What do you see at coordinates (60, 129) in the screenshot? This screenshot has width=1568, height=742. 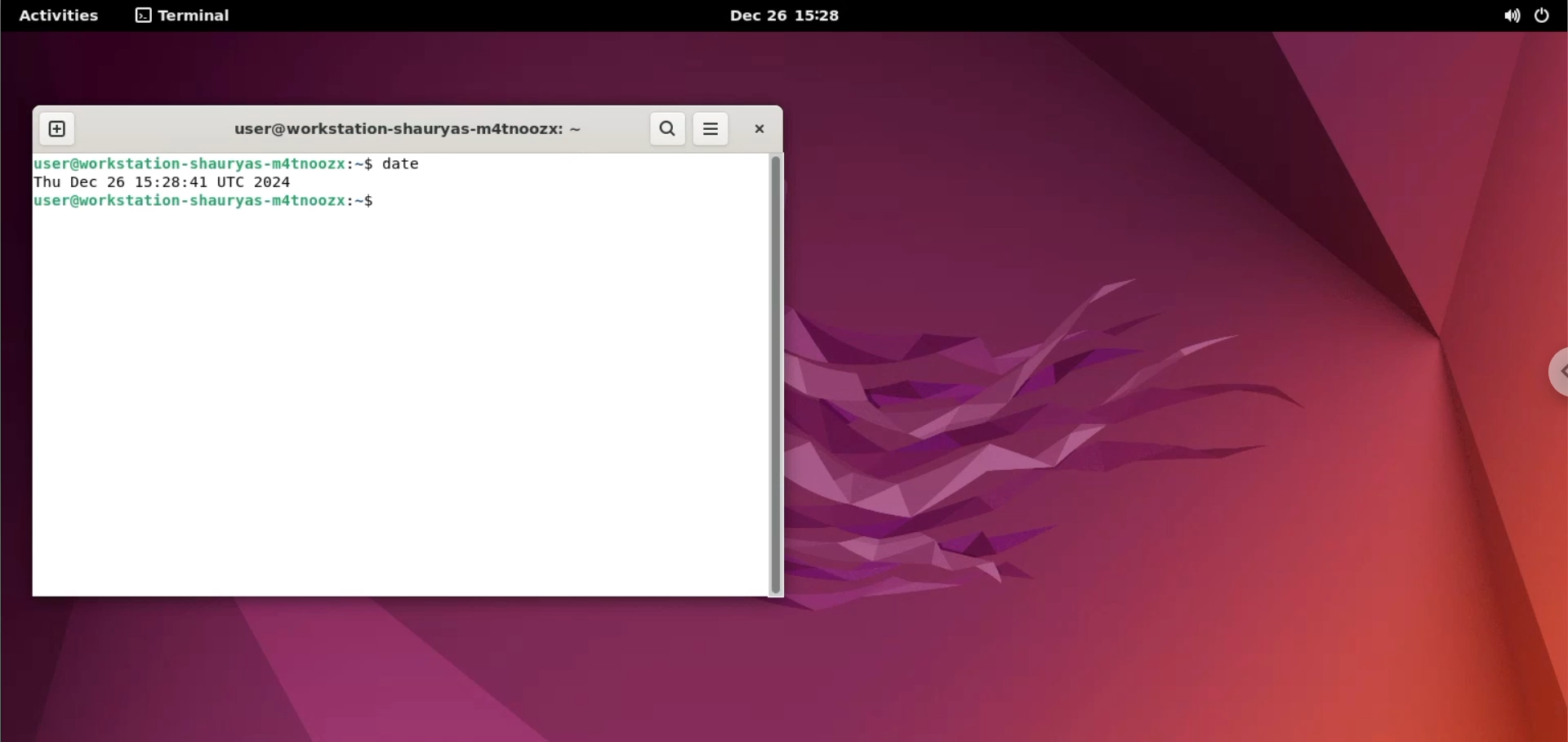 I see `new tab` at bounding box center [60, 129].